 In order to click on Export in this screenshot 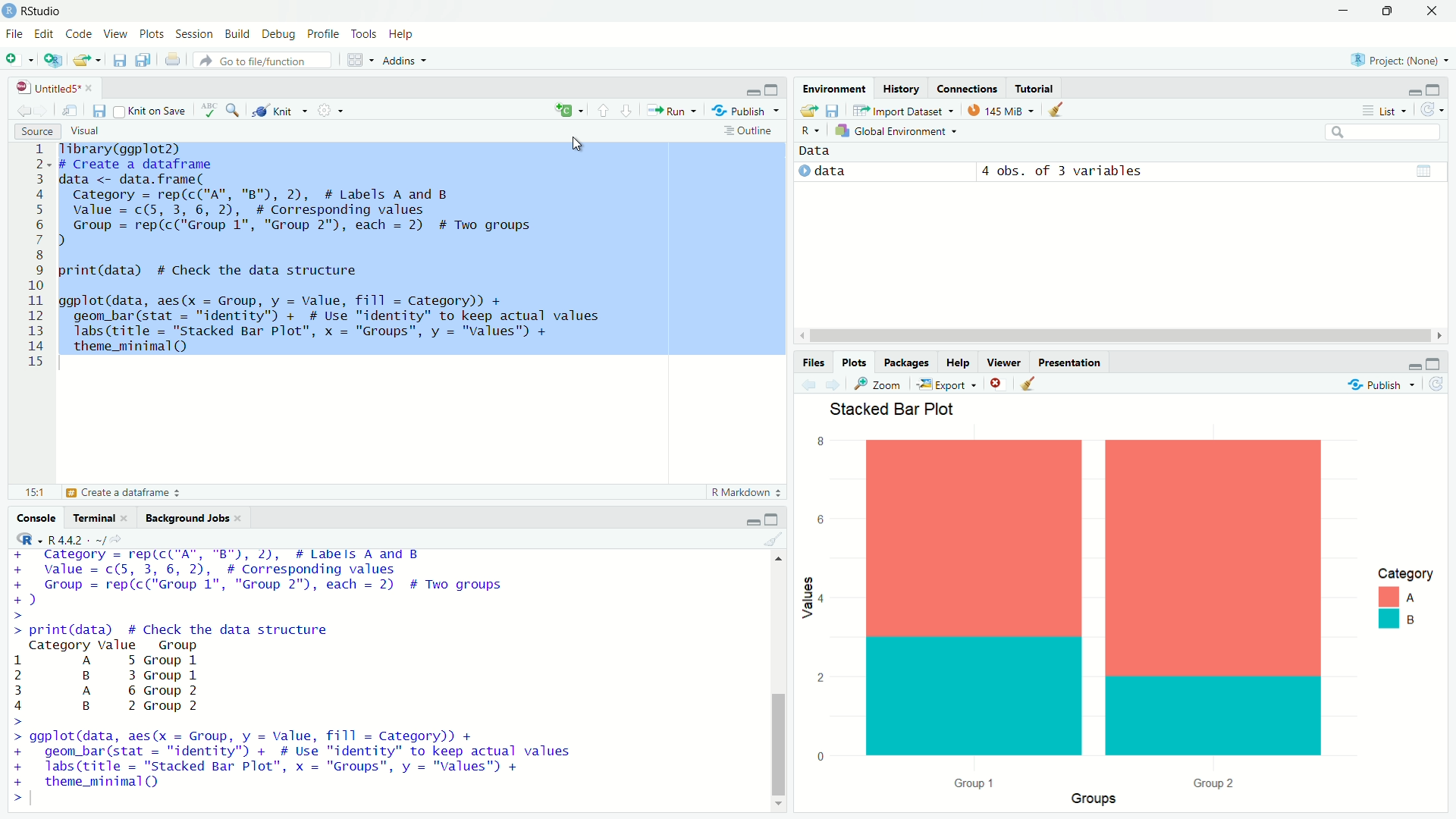, I will do `click(950, 383)`.